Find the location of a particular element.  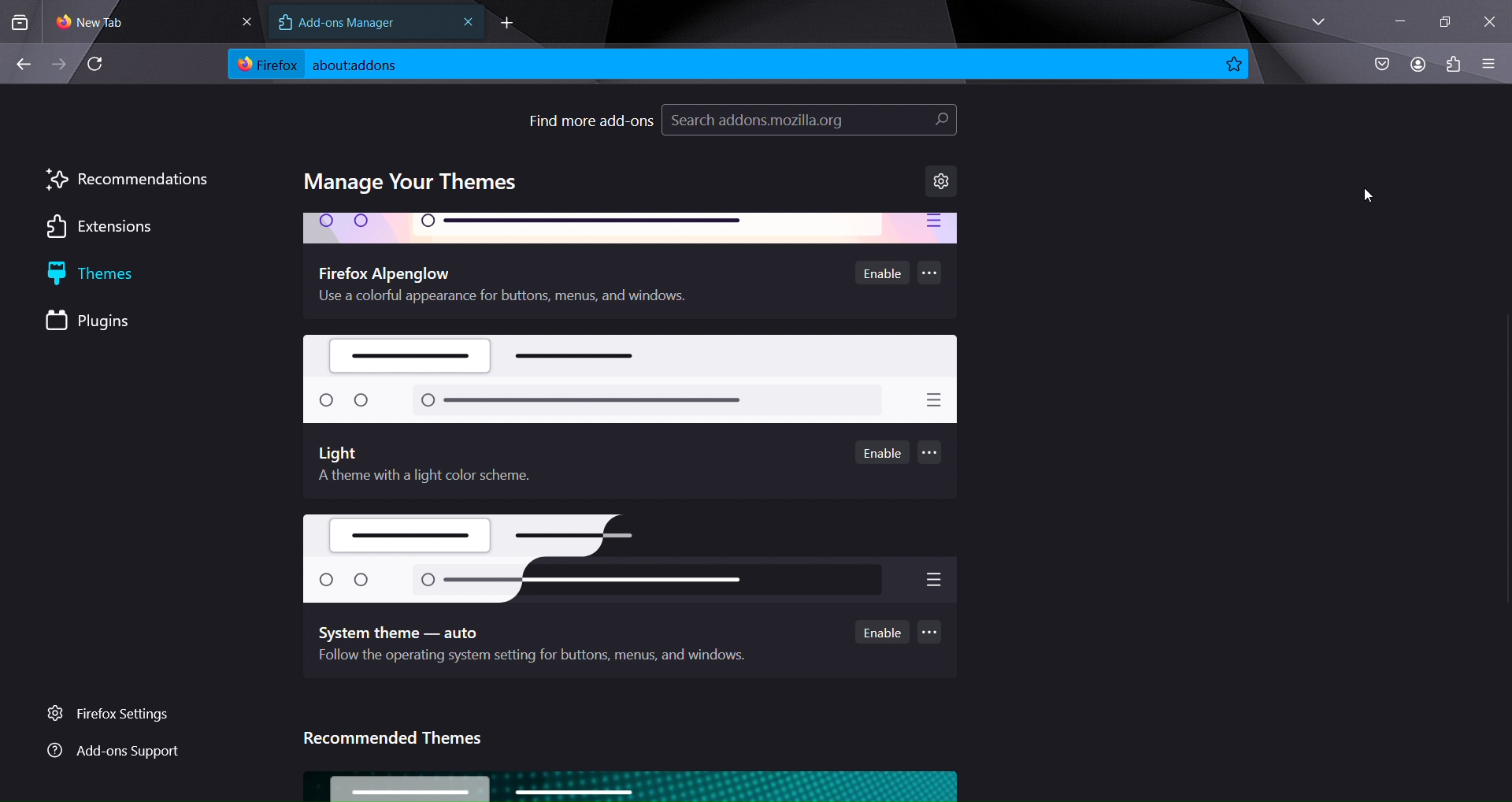

open application menu is located at coordinates (1489, 65).